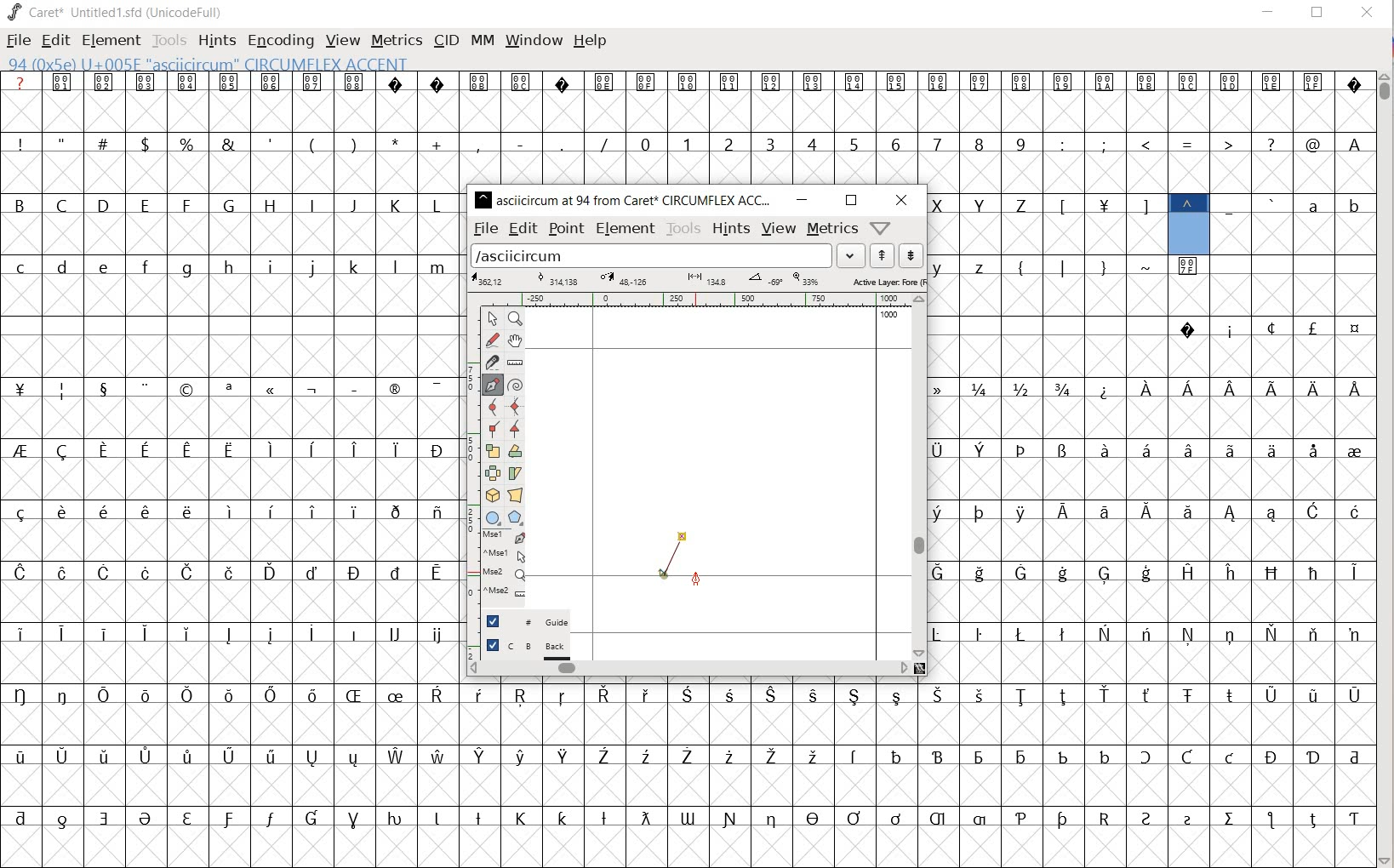 The height and width of the screenshot is (868, 1394). Describe the element at coordinates (517, 340) in the screenshot. I see `scroll by hand` at that location.